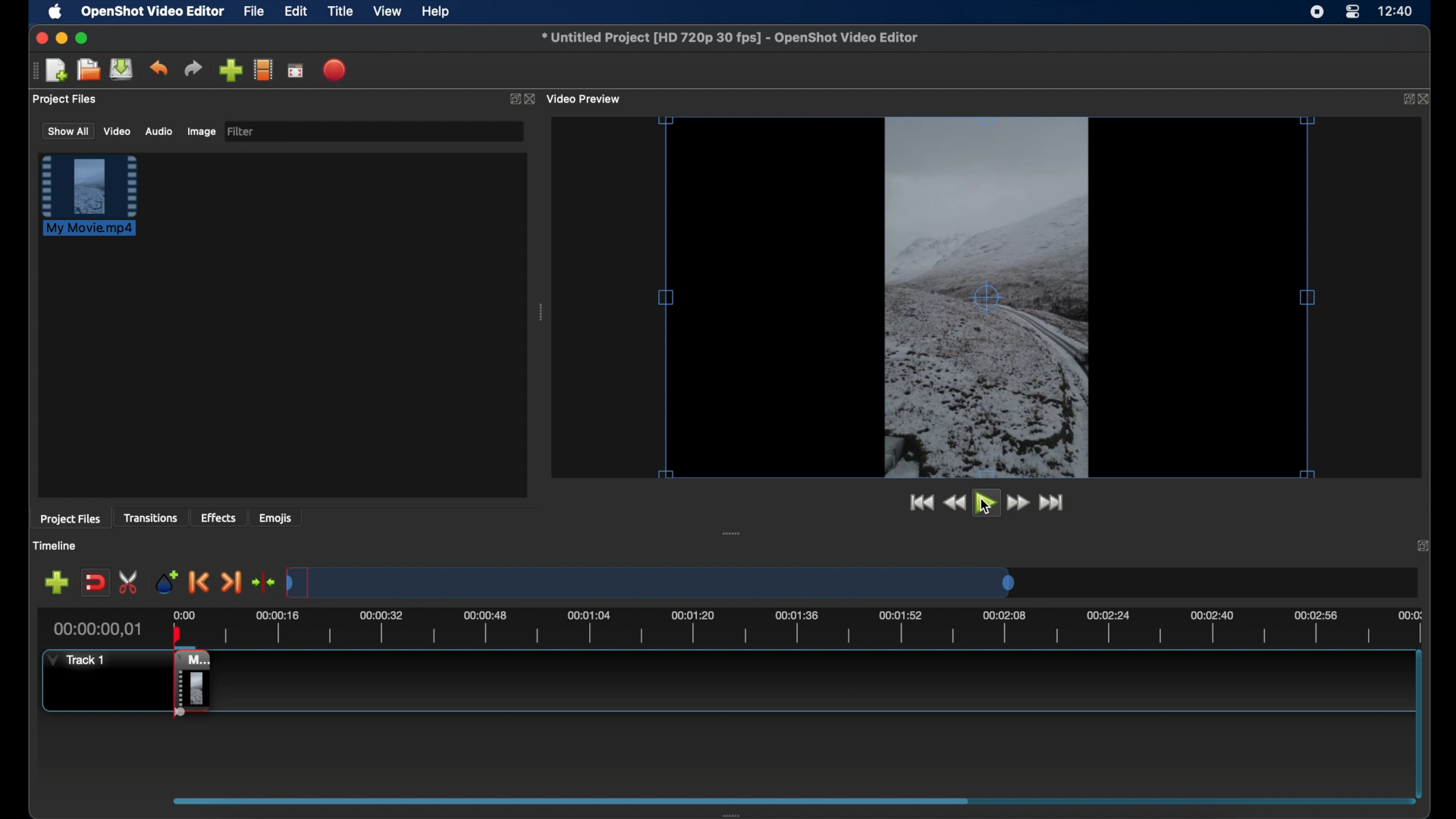  I want to click on fast forward, so click(1018, 503).